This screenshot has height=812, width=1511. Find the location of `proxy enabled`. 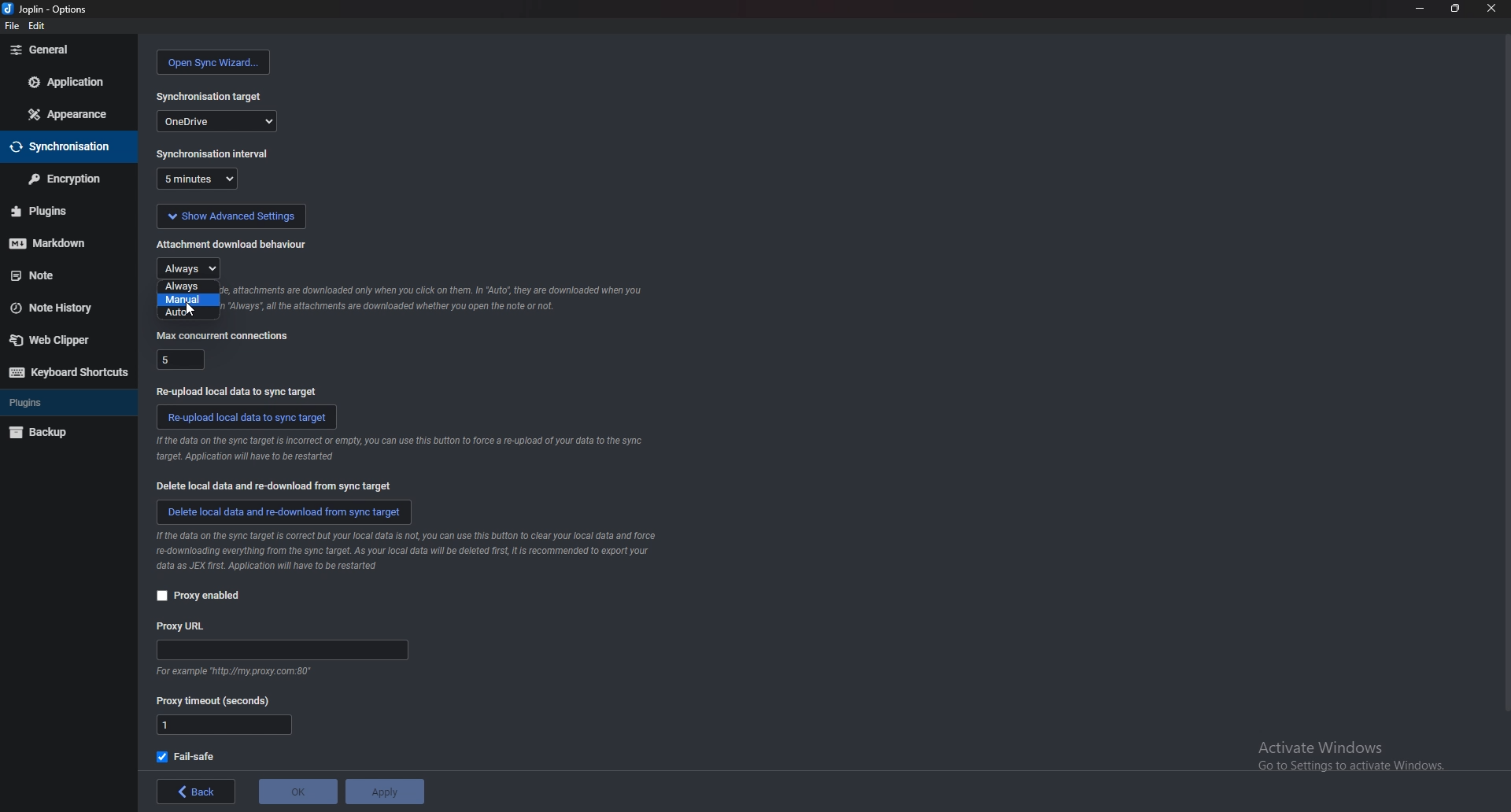

proxy enabled is located at coordinates (205, 596).